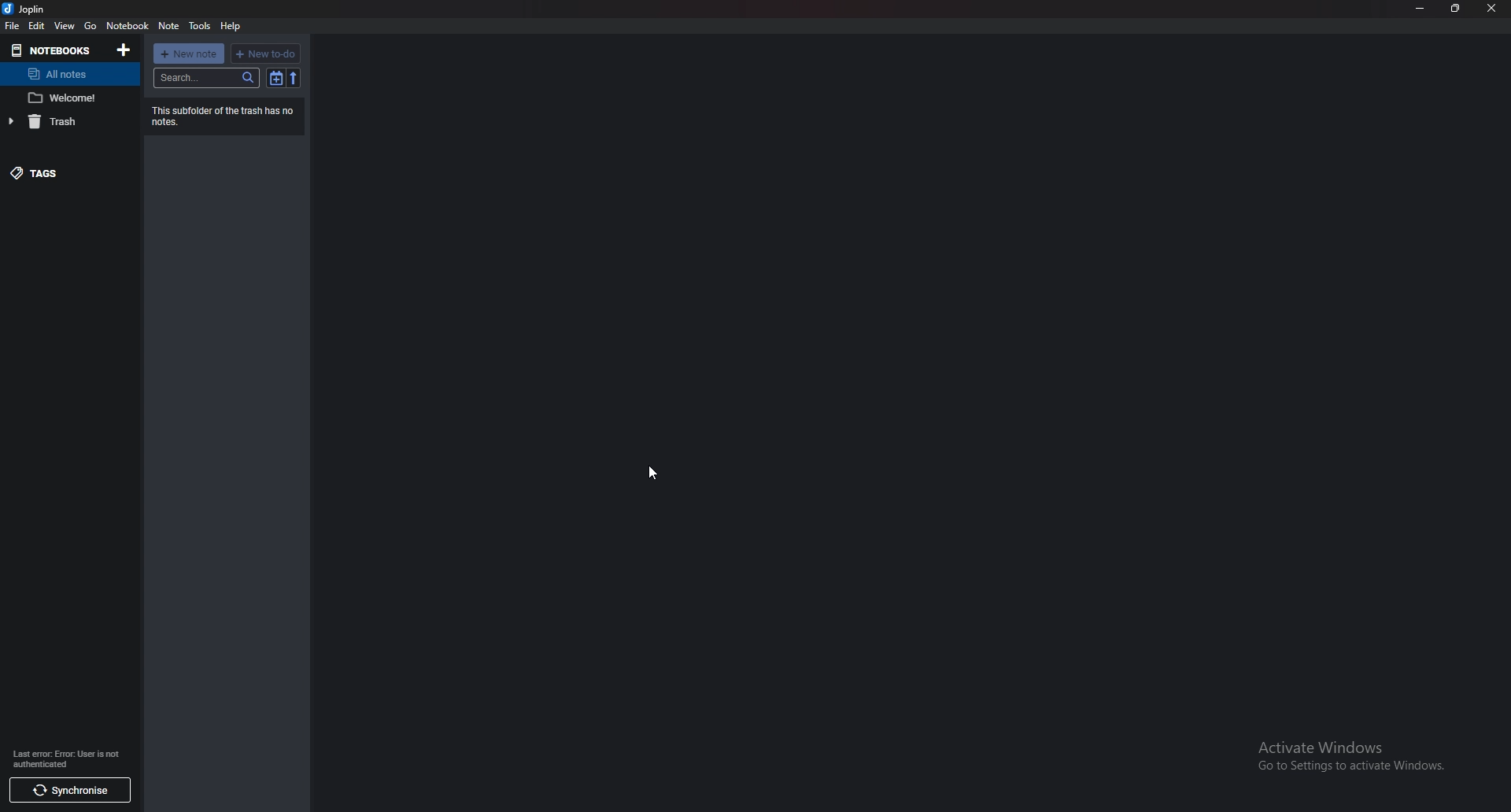 The height and width of the screenshot is (812, 1511). I want to click on search, so click(207, 78).